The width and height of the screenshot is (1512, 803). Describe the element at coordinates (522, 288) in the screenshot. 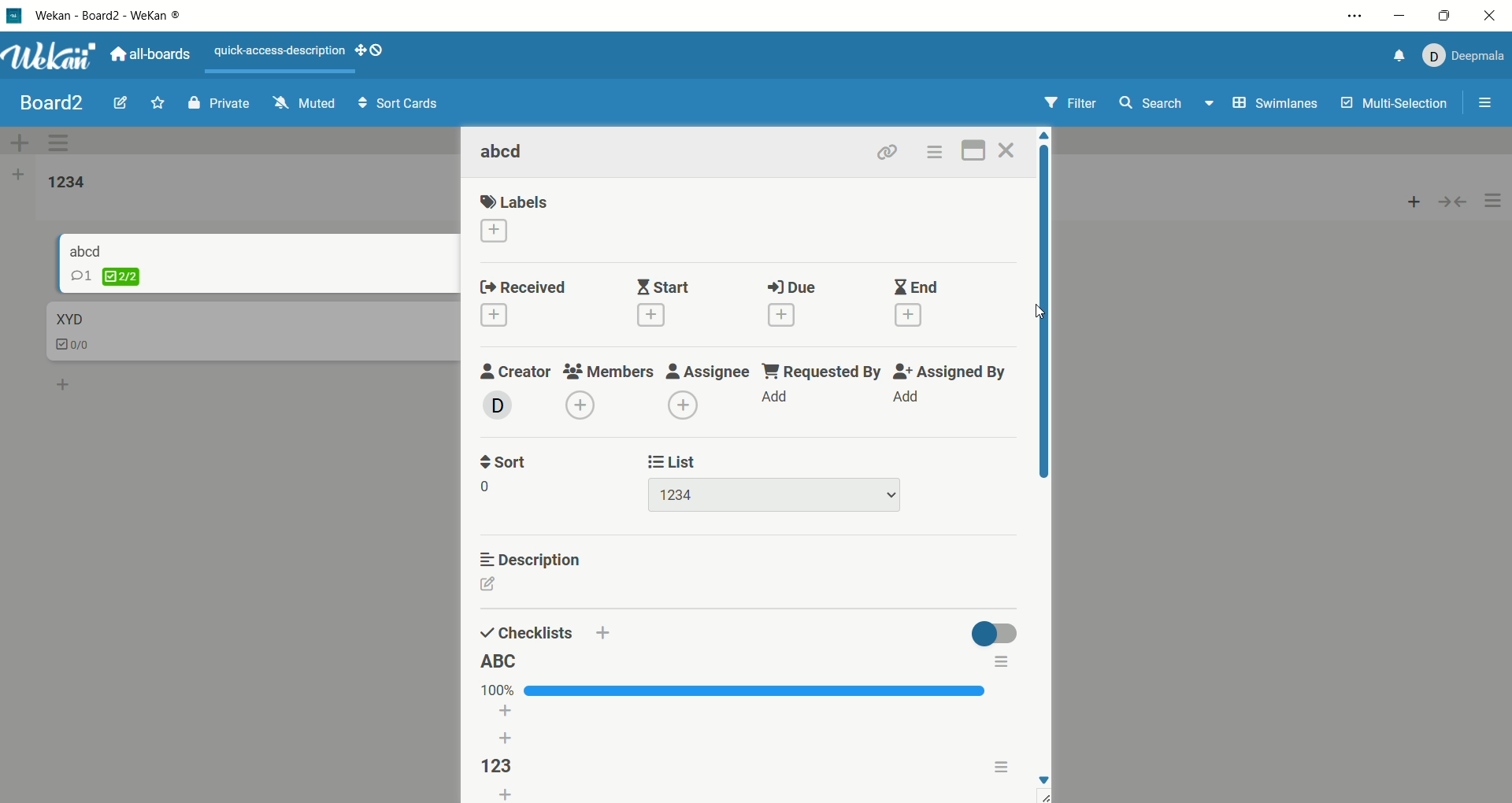

I see `received` at that location.